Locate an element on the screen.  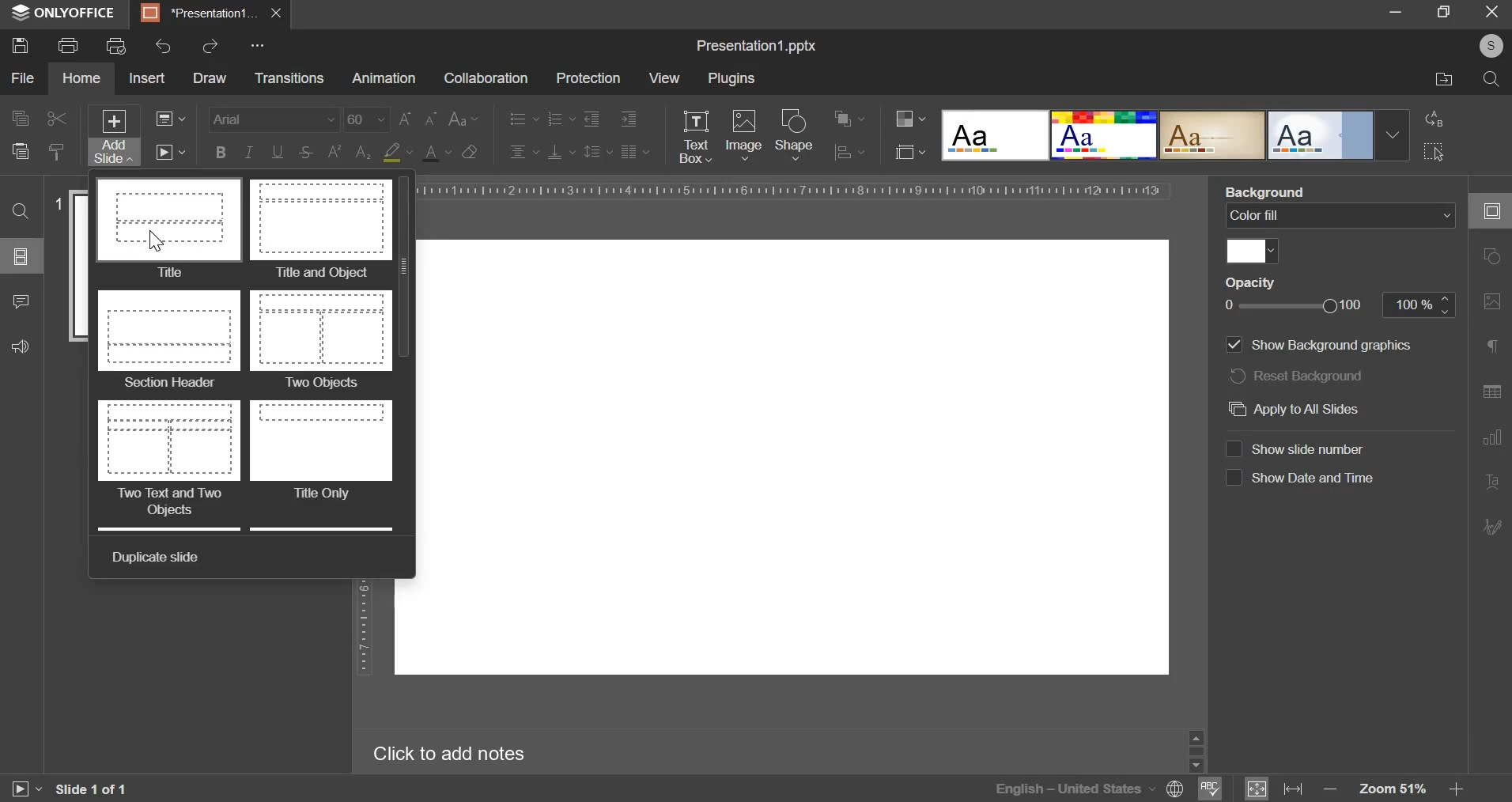
horizontal alignment is located at coordinates (524, 149).